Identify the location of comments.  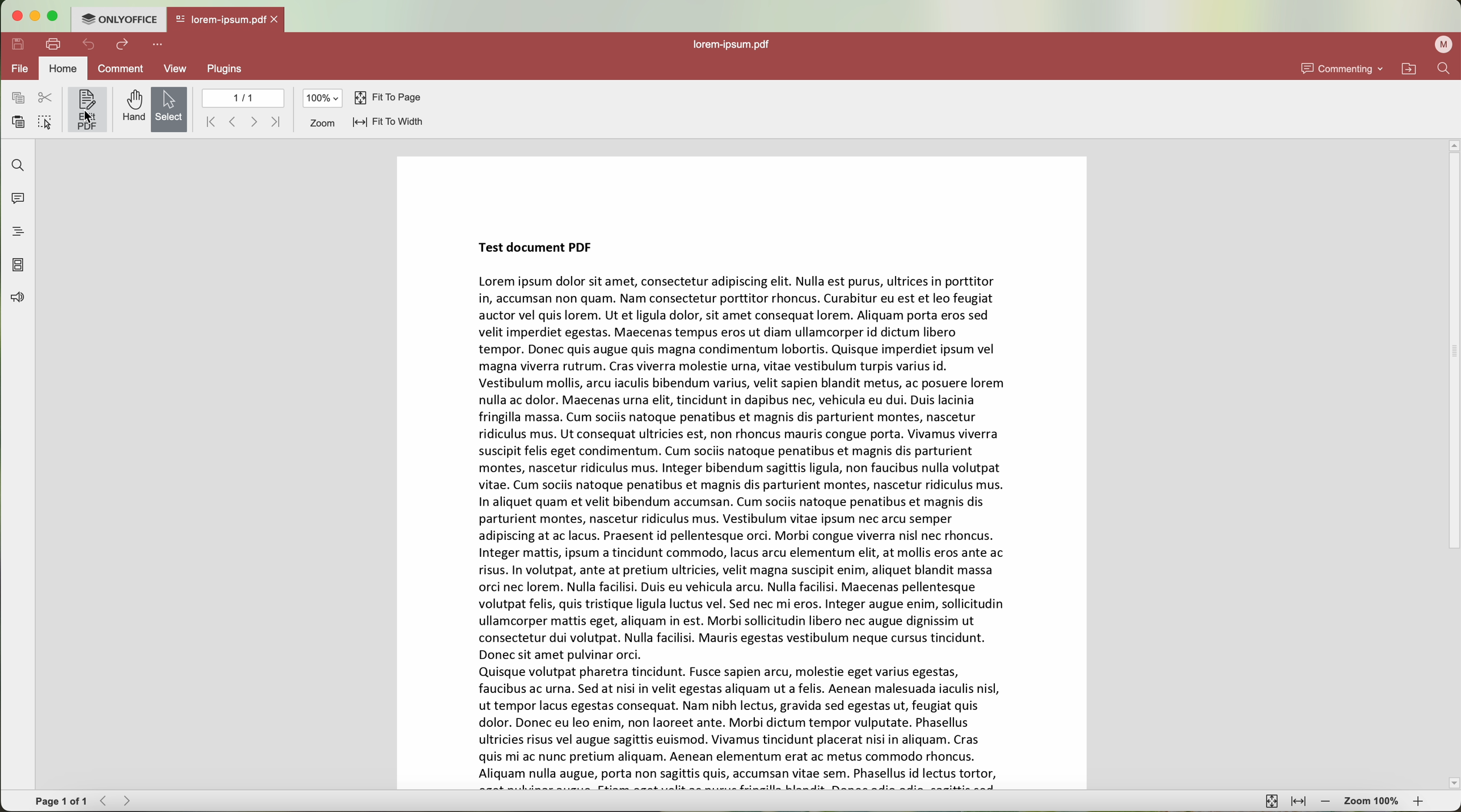
(16, 200).